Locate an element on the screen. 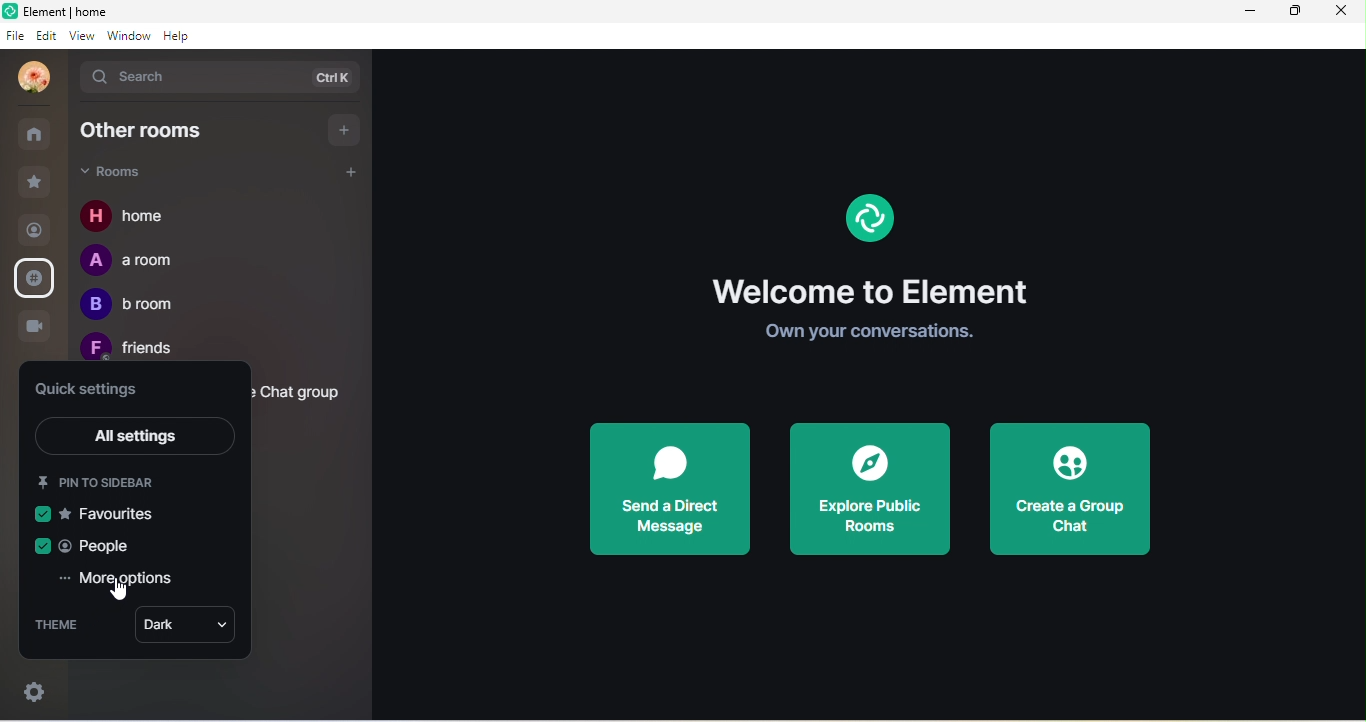  maximize is located at coordinates (1294, 14).